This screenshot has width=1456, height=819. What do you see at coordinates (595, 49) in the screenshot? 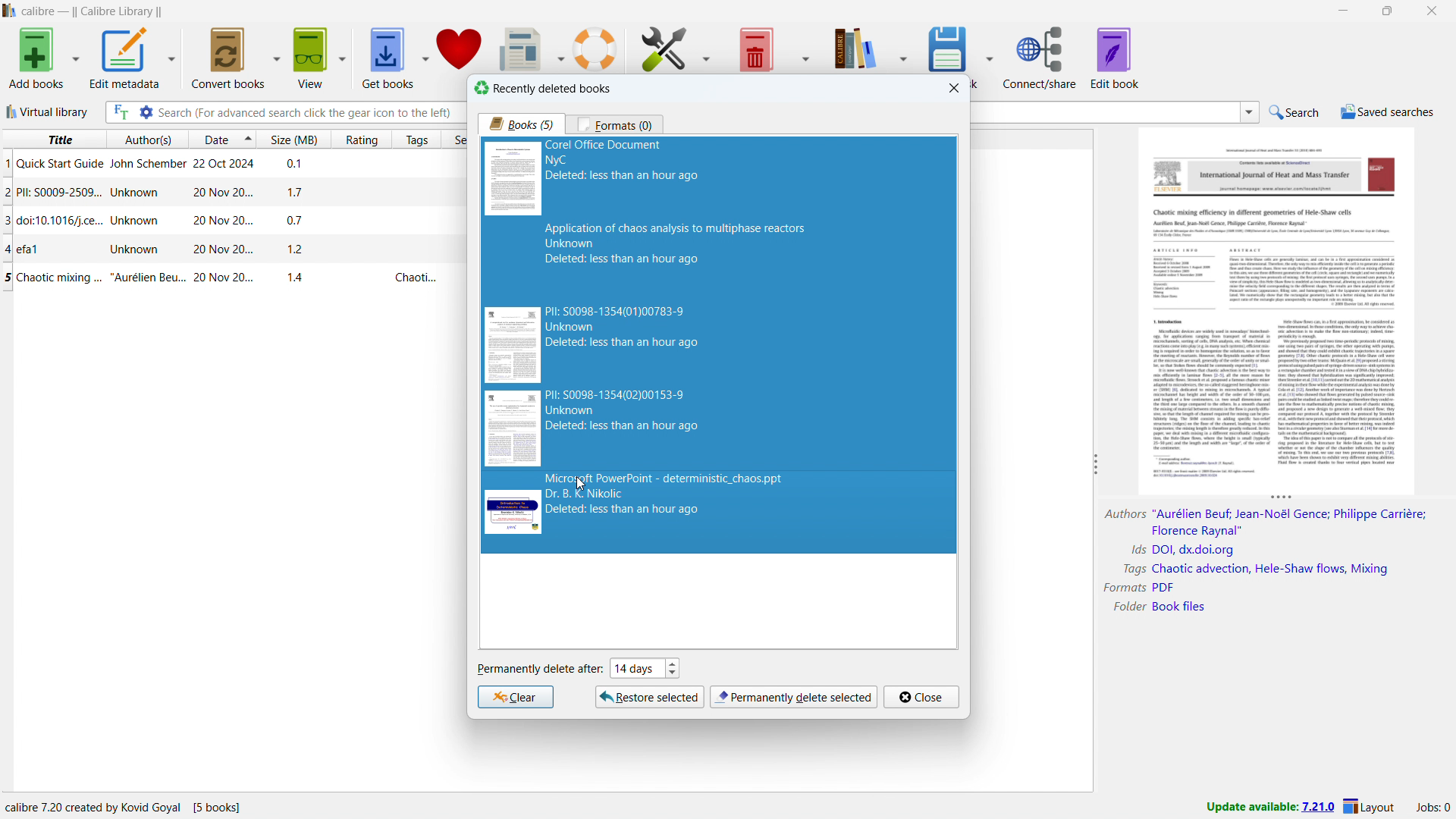
I see `help` at bounding box center [595, 49].